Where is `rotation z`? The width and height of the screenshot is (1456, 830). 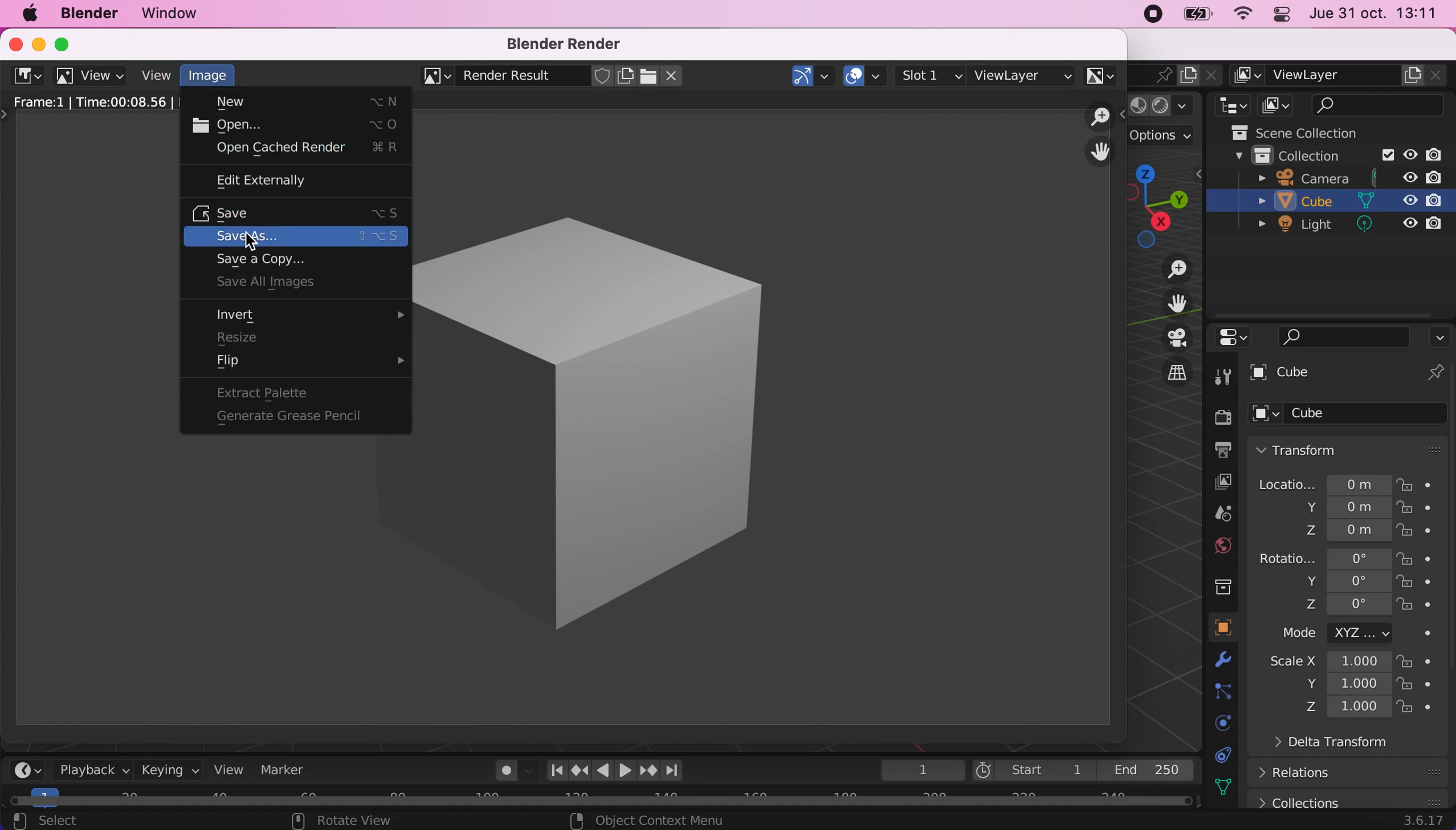 rotation z is located at coordinates (1319, 609).